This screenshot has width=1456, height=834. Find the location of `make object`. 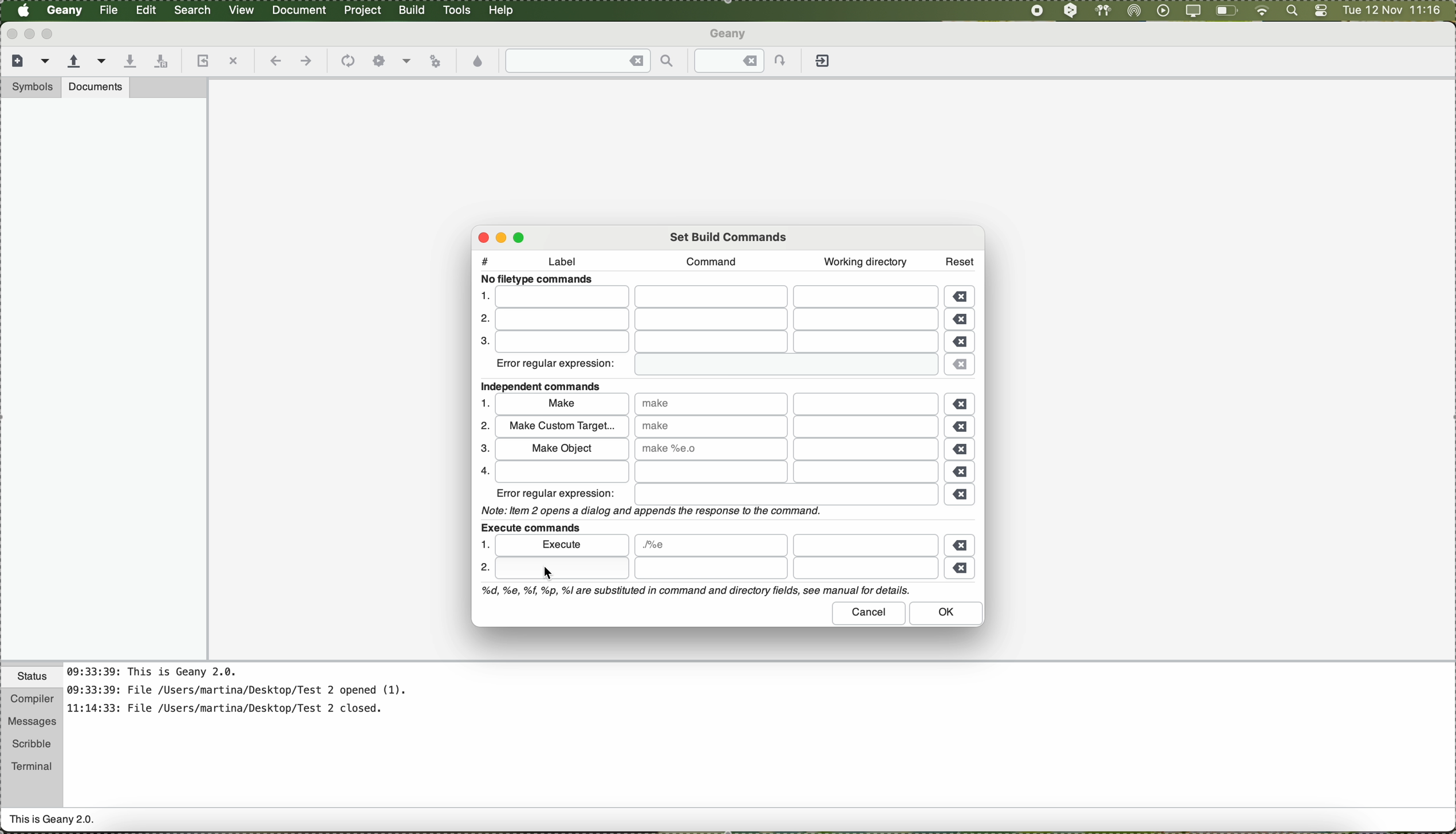

make object is located at coordinates (561, 448).